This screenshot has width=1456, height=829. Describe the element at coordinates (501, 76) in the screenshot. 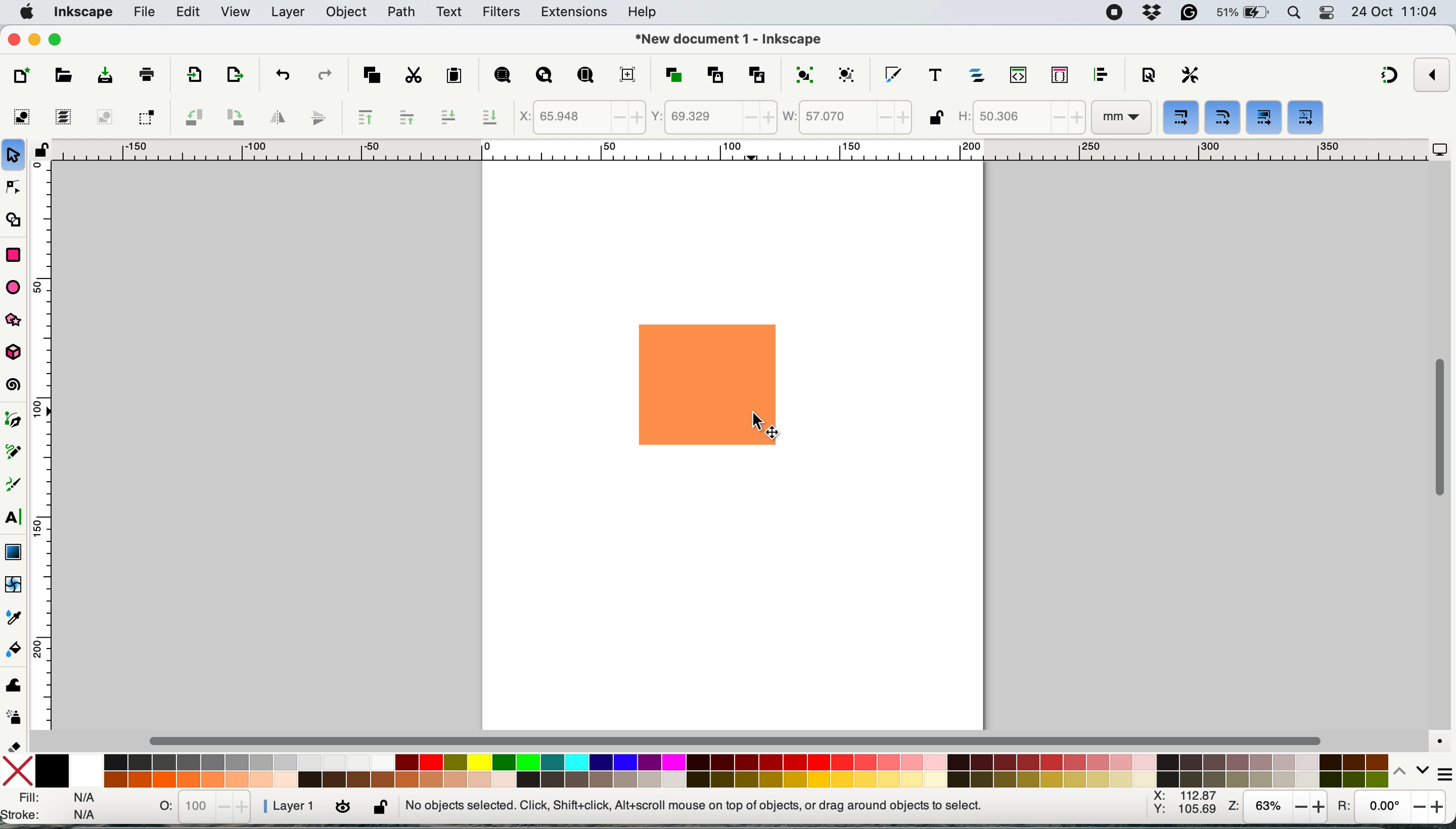

I see `zoom selection` at that location.